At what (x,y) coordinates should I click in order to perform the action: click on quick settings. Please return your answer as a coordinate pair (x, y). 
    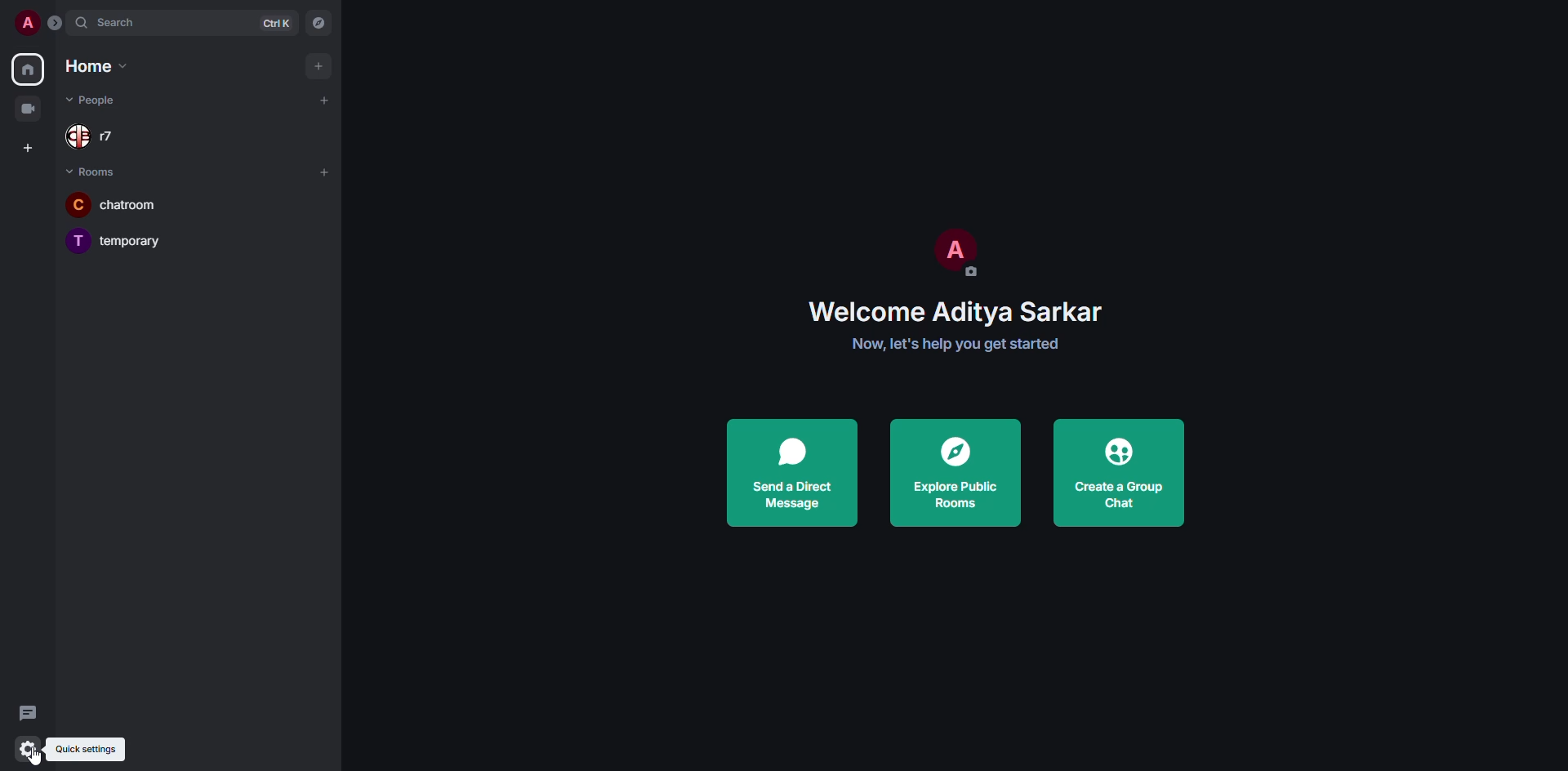
    Looking at the image, I should click on (87, 750).